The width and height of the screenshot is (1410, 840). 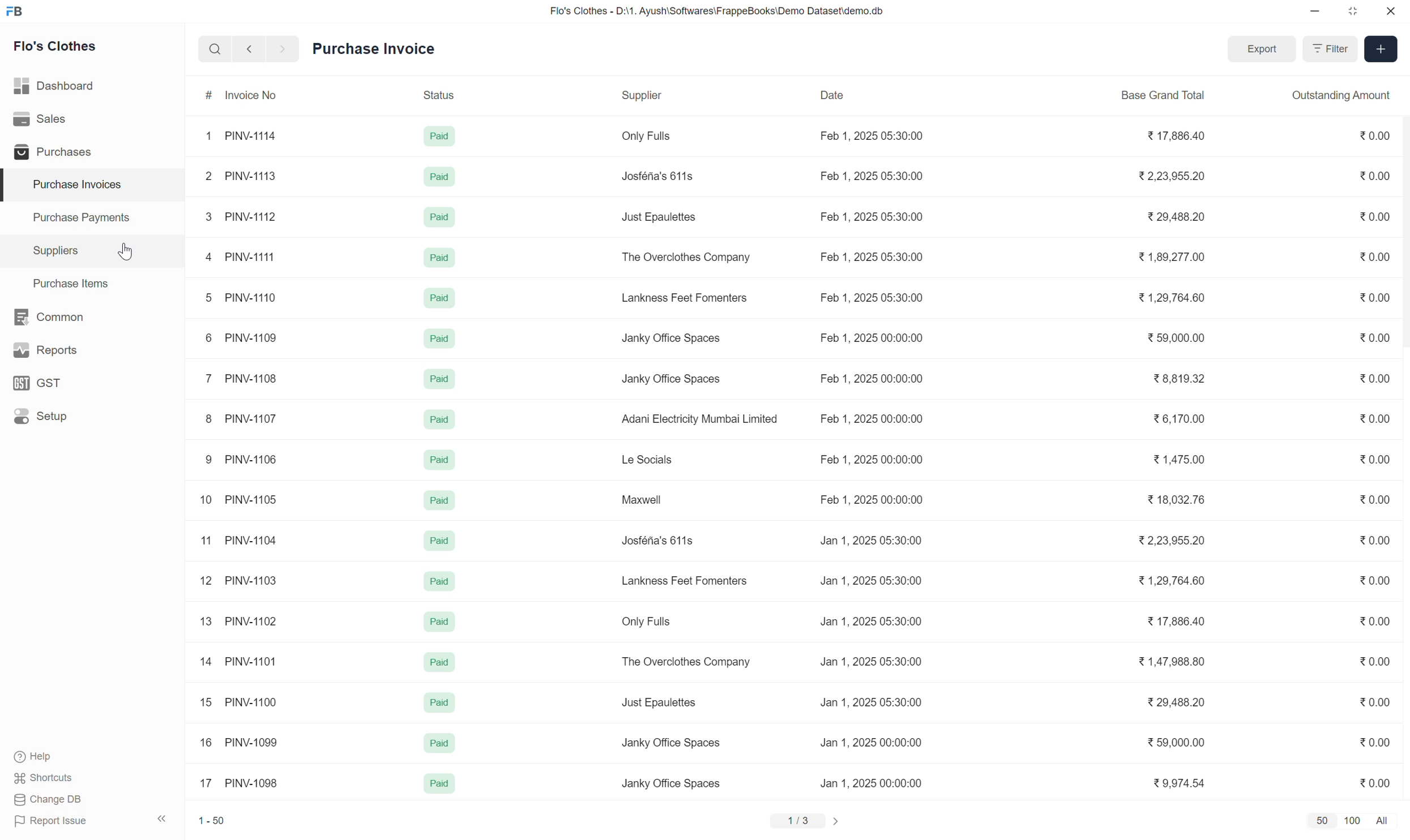 What do you see at coordinates (439, 258) in the screenshot?
I see `Paid` at bounding box center [439, 258].